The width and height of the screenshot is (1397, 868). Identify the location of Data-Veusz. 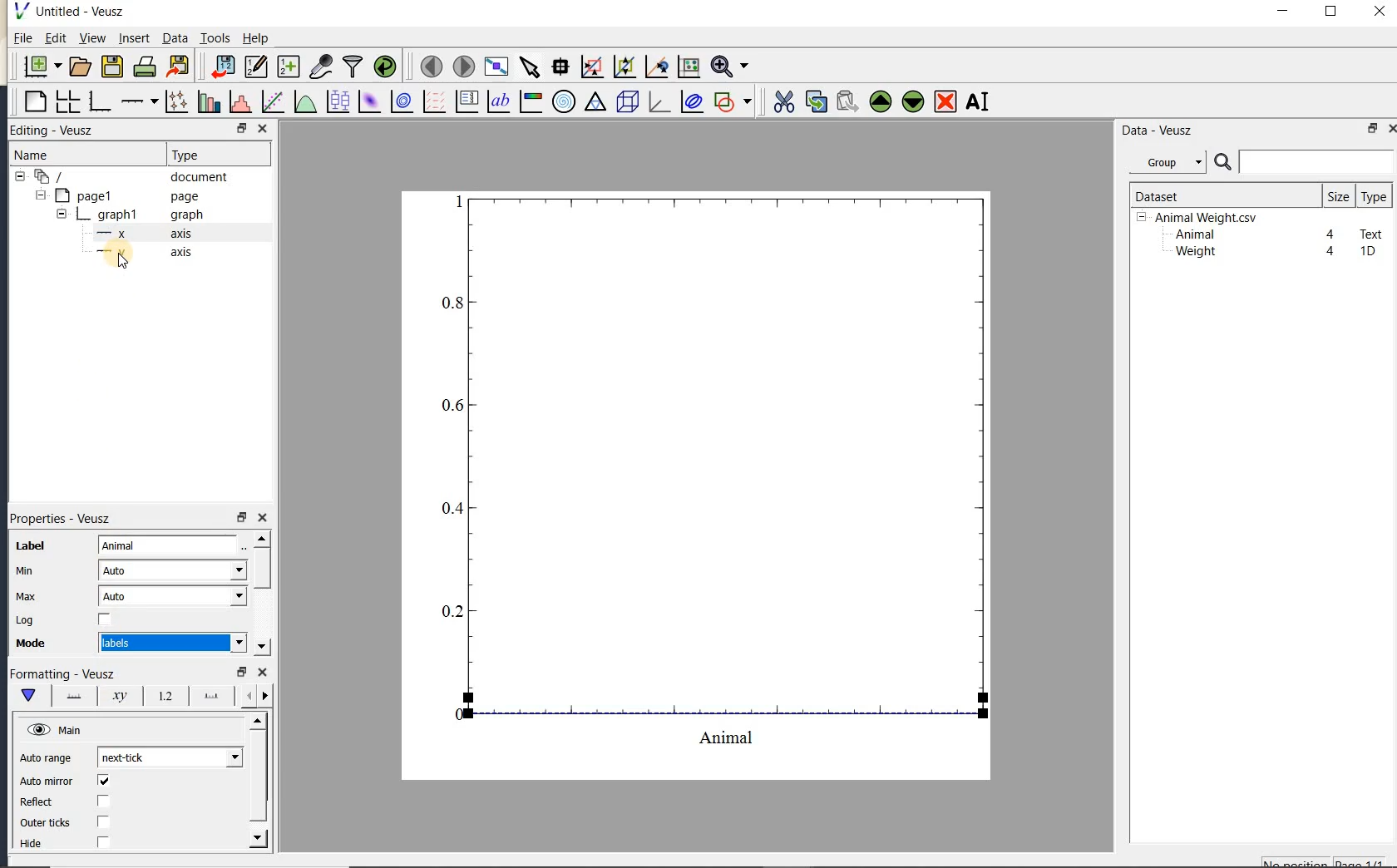
(1158, 131).